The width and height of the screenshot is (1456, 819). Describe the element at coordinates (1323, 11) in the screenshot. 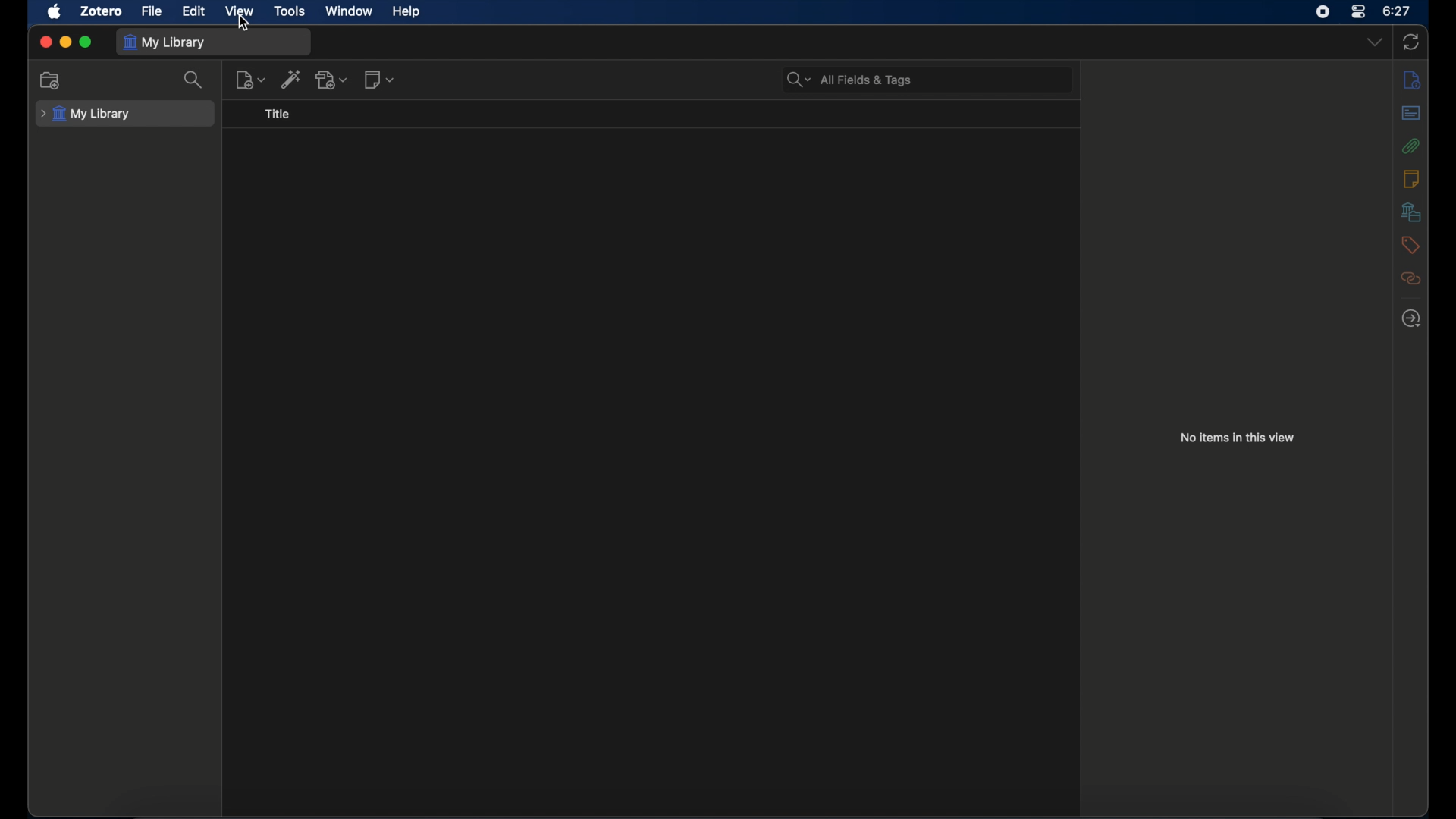

I see `screen recorder` at that location.